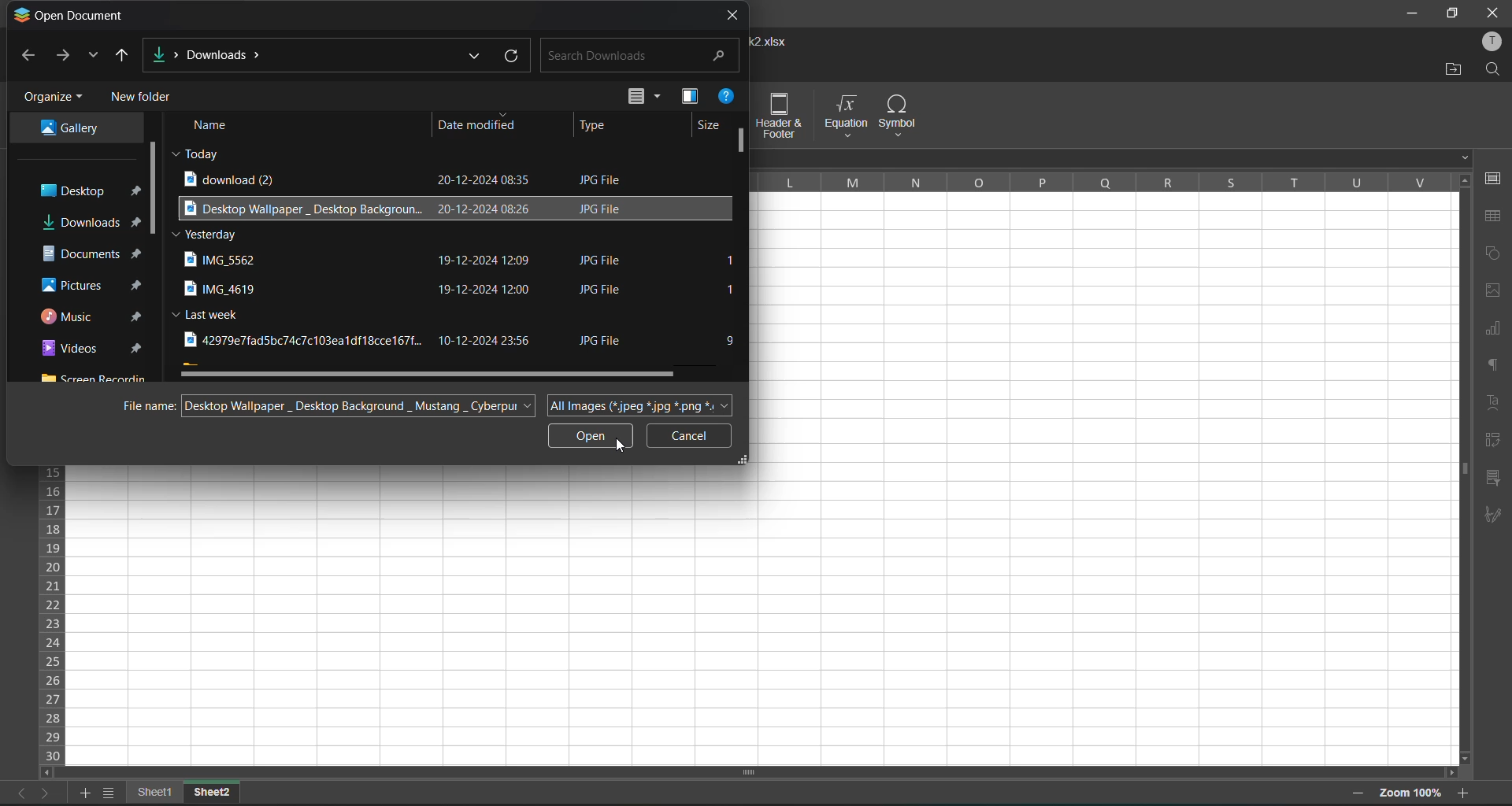  Describe the element at coordinates (1494, 479) in the screenshot. I see `slicer` at that location.